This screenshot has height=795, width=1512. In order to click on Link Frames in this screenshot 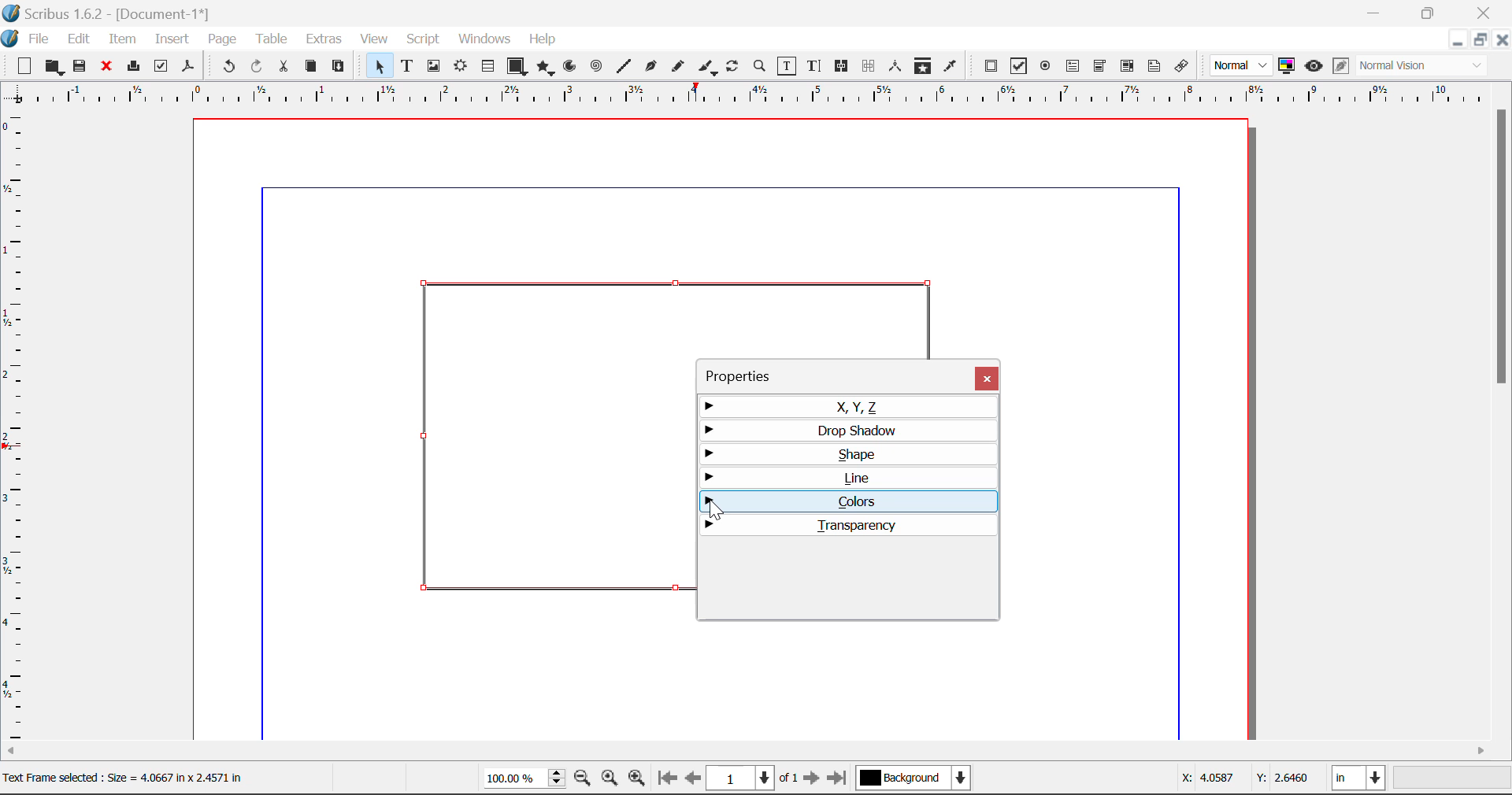, I will do `click(842, 66)`.